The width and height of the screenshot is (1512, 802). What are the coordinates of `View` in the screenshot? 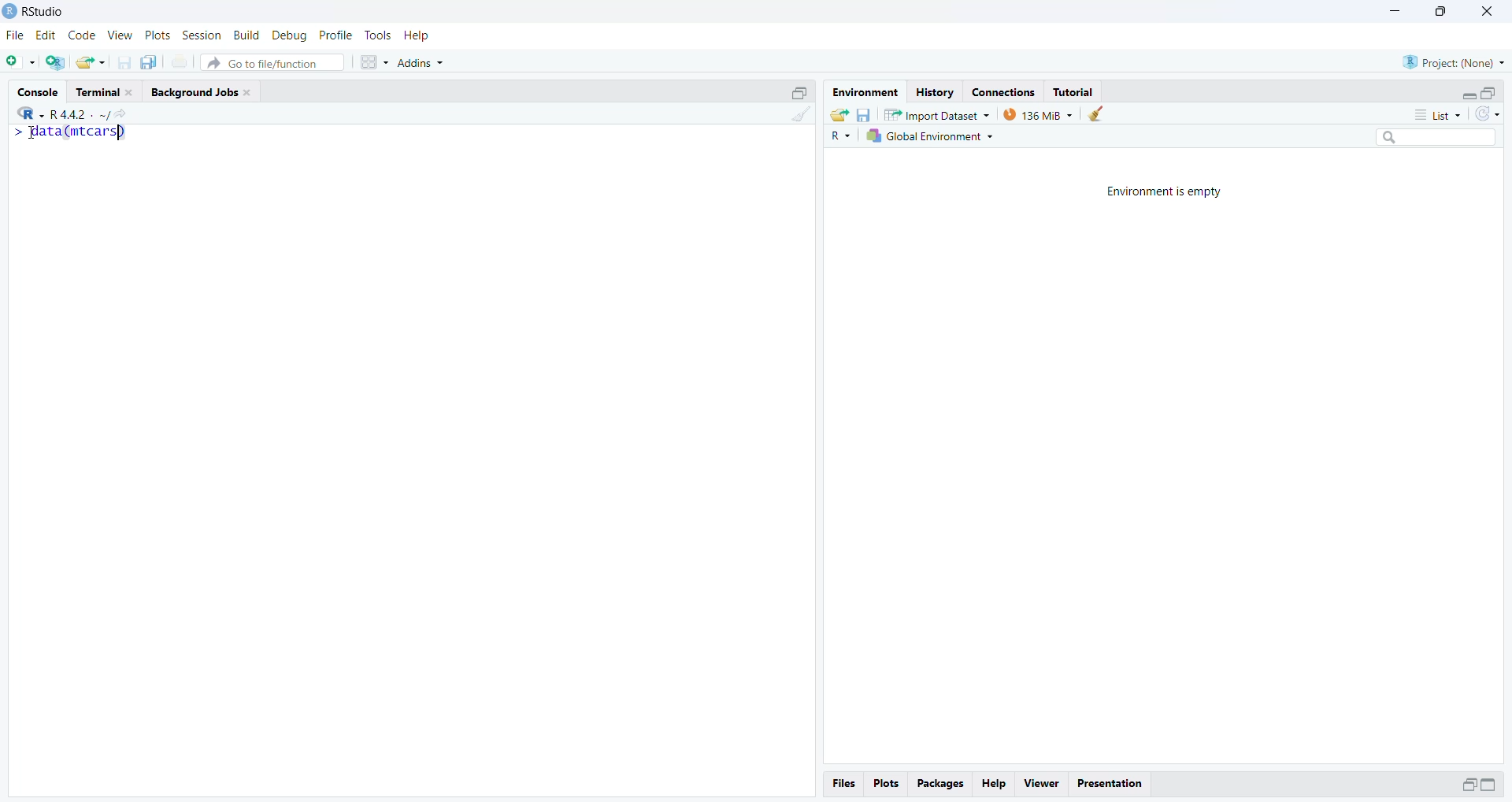 It's located at (1040, 782).